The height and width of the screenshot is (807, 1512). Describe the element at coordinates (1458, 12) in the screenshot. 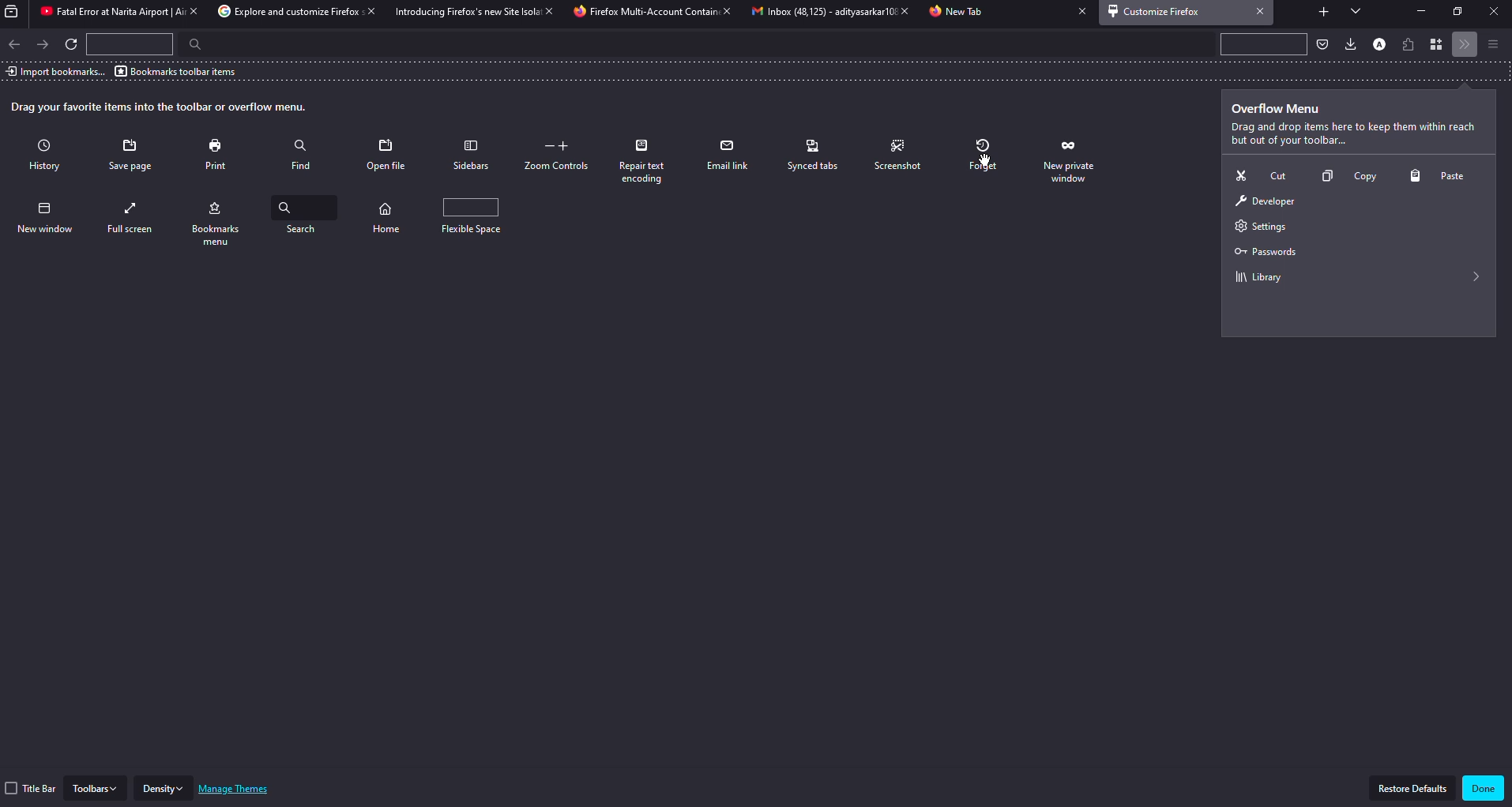

I see `maximize` at that location.